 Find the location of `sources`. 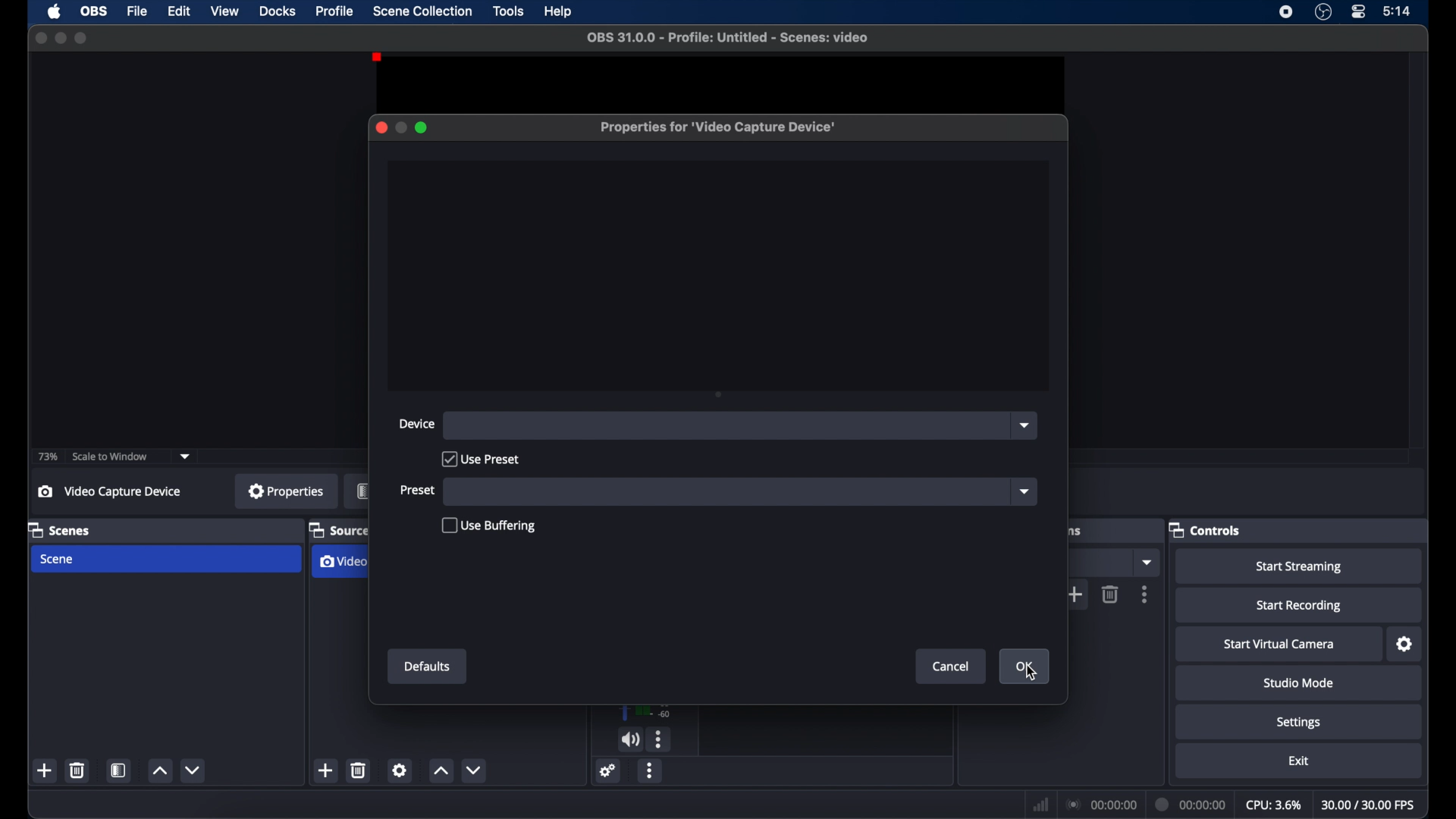

sources is located at coordinates (336, 531).